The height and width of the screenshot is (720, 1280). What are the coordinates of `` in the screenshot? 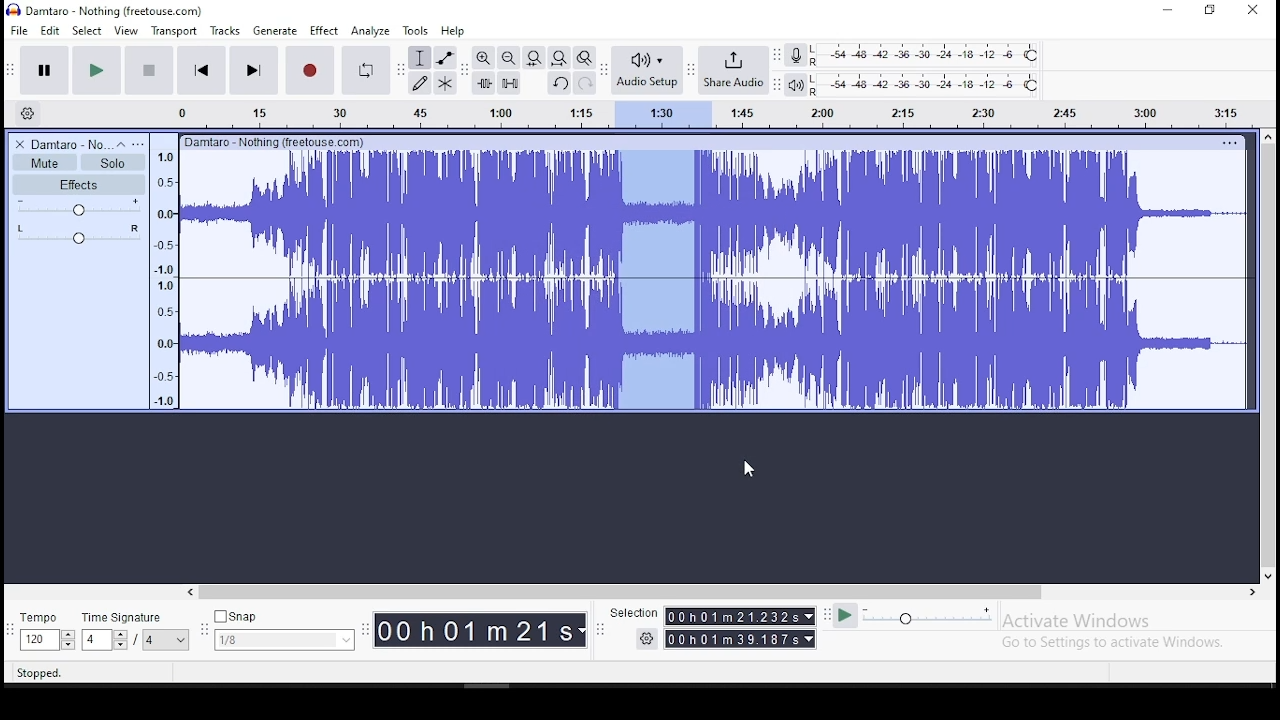 It's located at (604, 70).